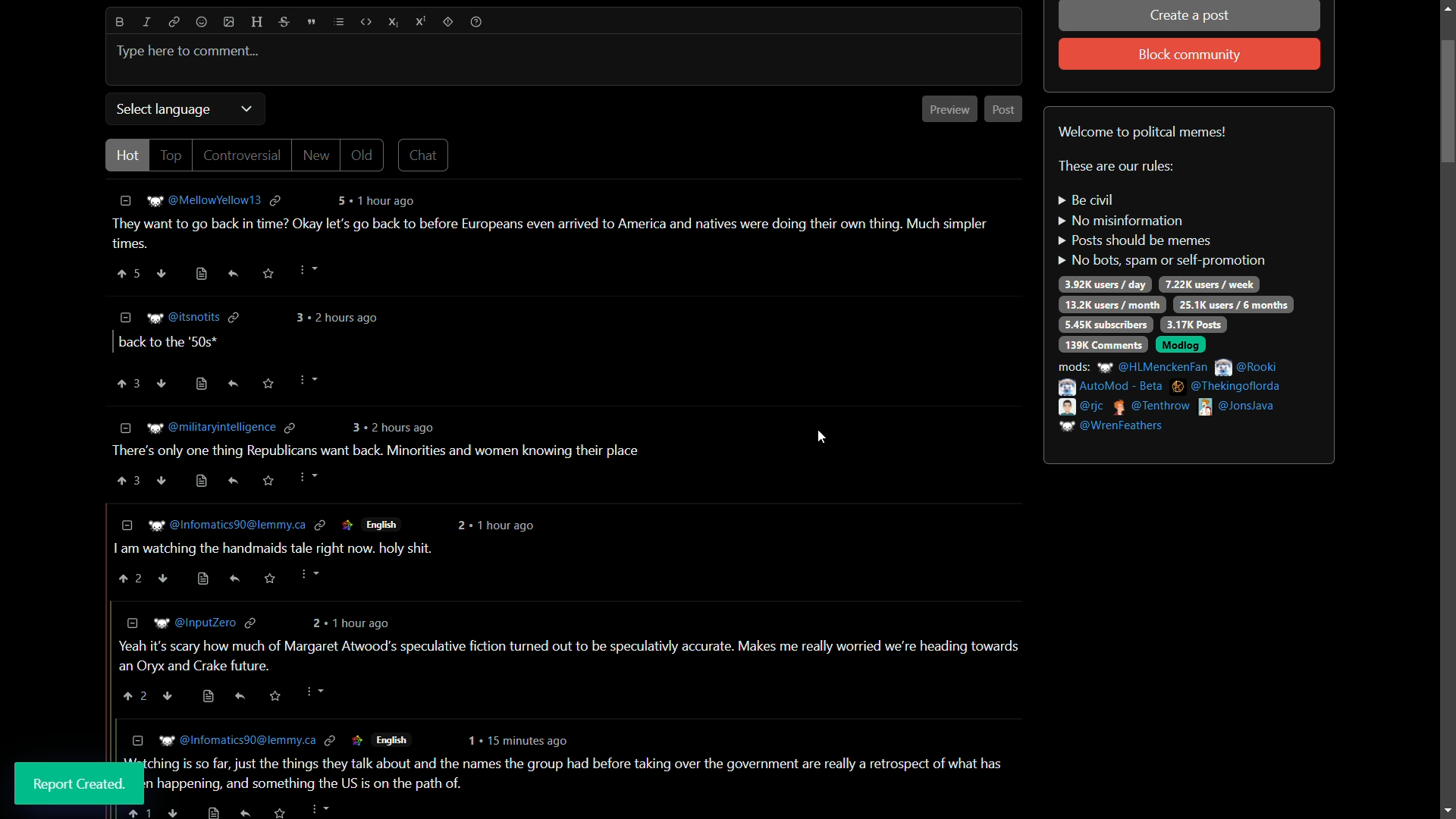  What do you see at coordinates (366, 22) in the screenshot?
I see `code` at bounding box center [366, 22].